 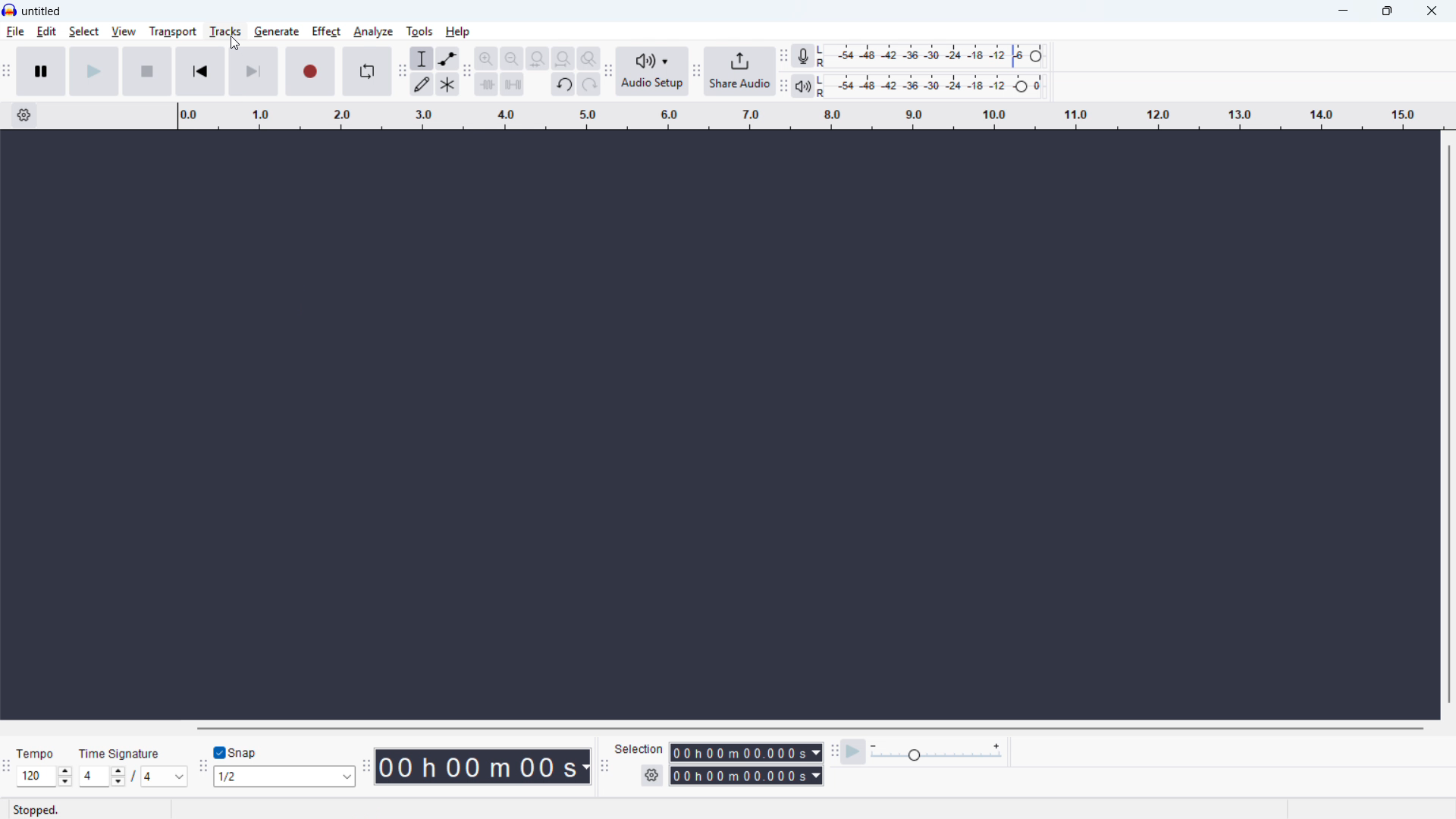 What do you see at coordinates (589, 84) in the screenshot?
I see `Redo ` at bounding box center [589, 84].